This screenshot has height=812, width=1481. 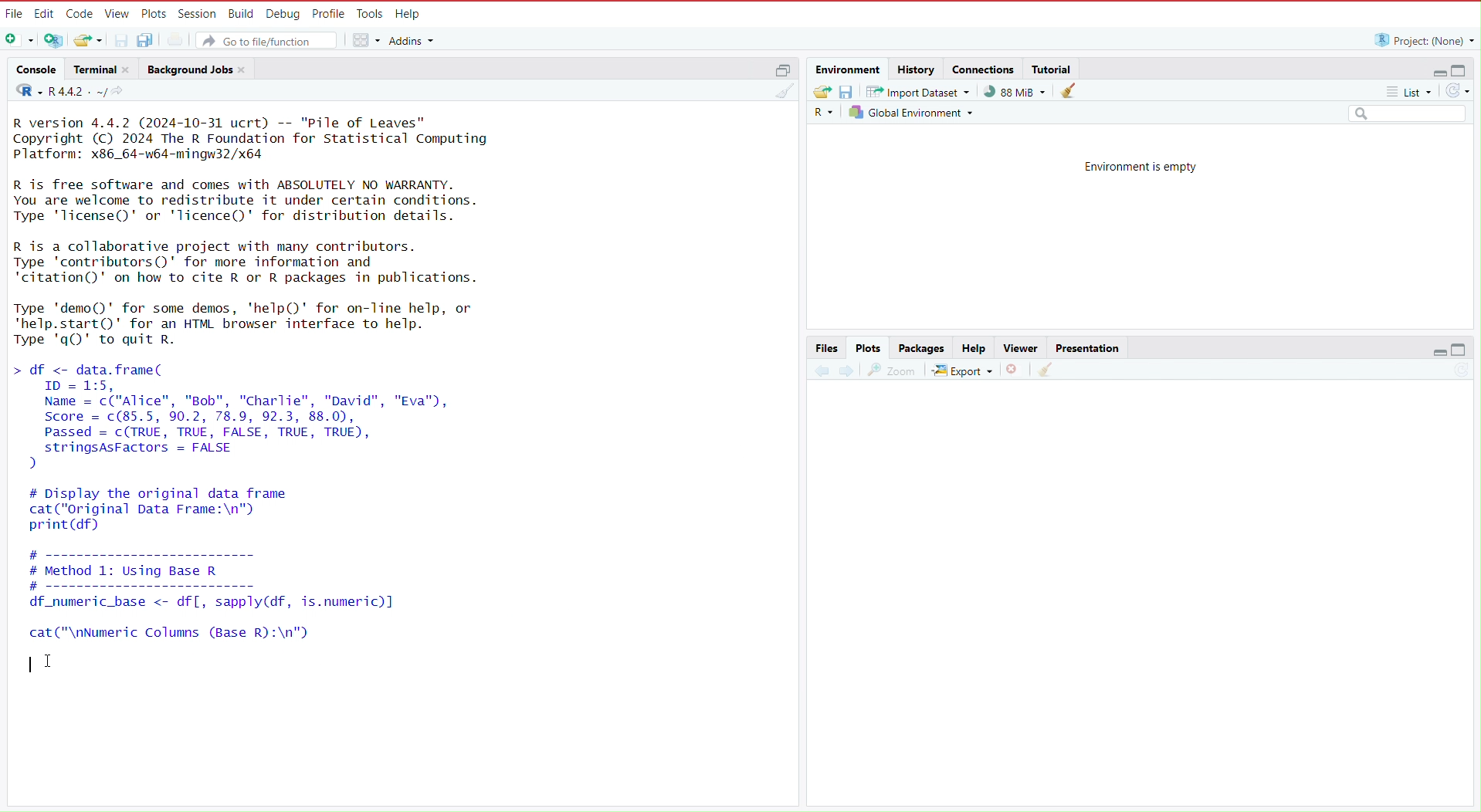 I want to click on Go to file/function, so click(x=269, y=39).